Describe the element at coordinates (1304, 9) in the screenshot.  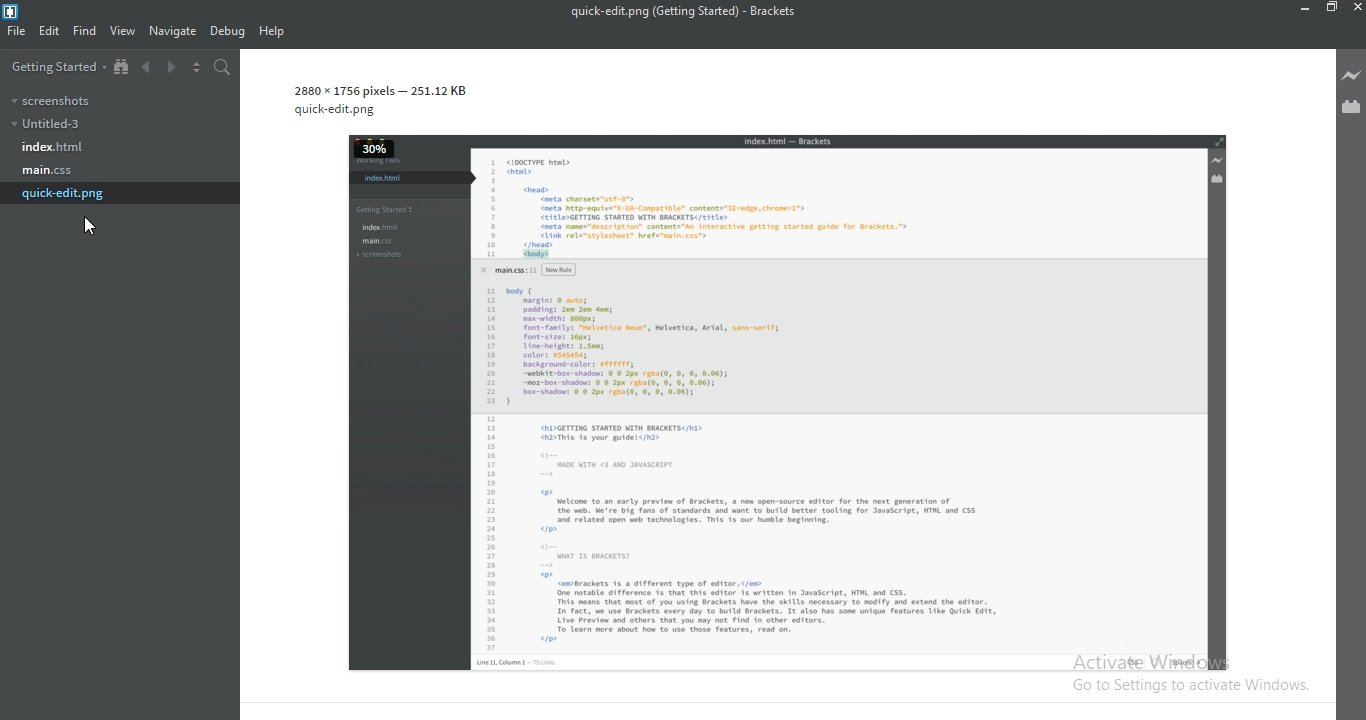
I see `restore` at that location.